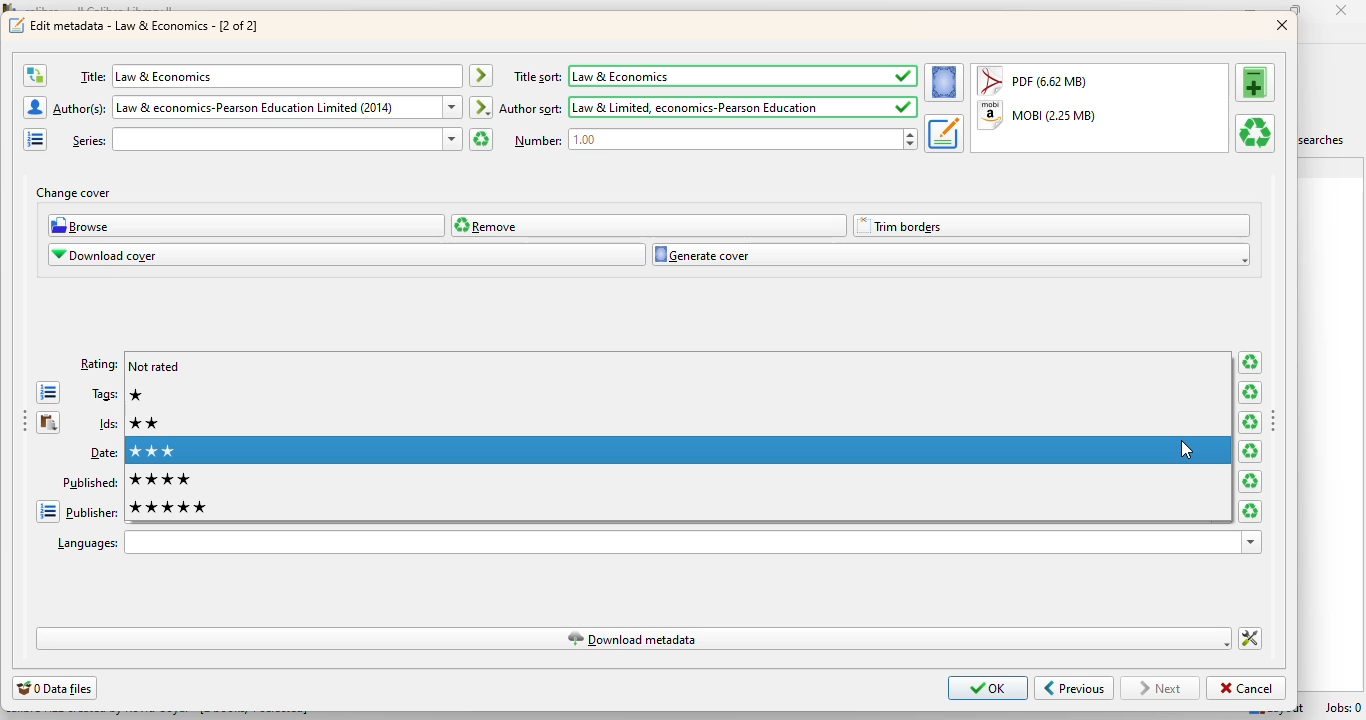 The image size is (1366, 720). Describe the element at coordinates (1283, 26) in the screenshot. I see `close` at that location.